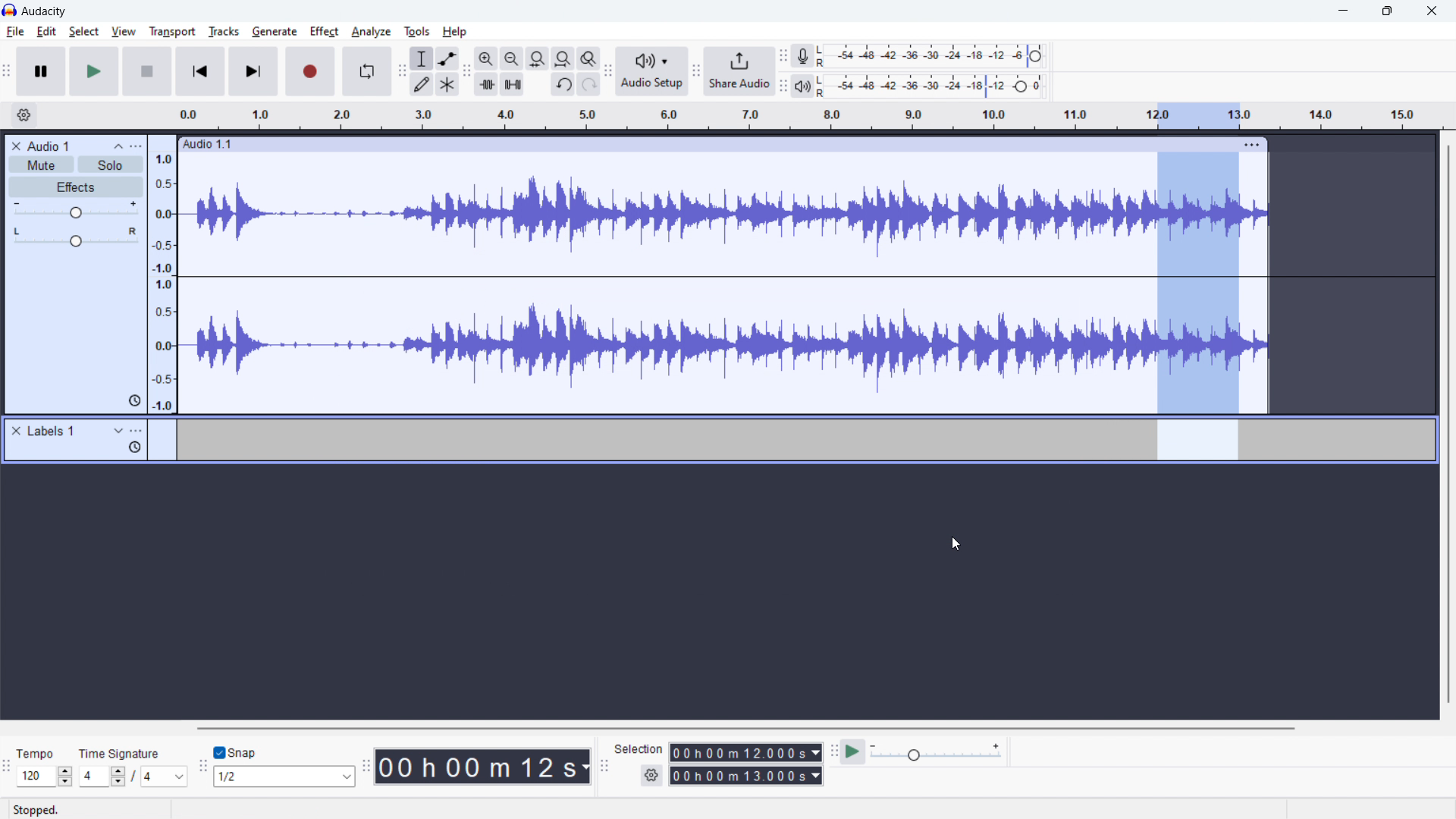 The height and width of the screenshot is (819, 1456). Describe the element at coordinates (808, 116) in the screenshot. I see `timeline` at that location.